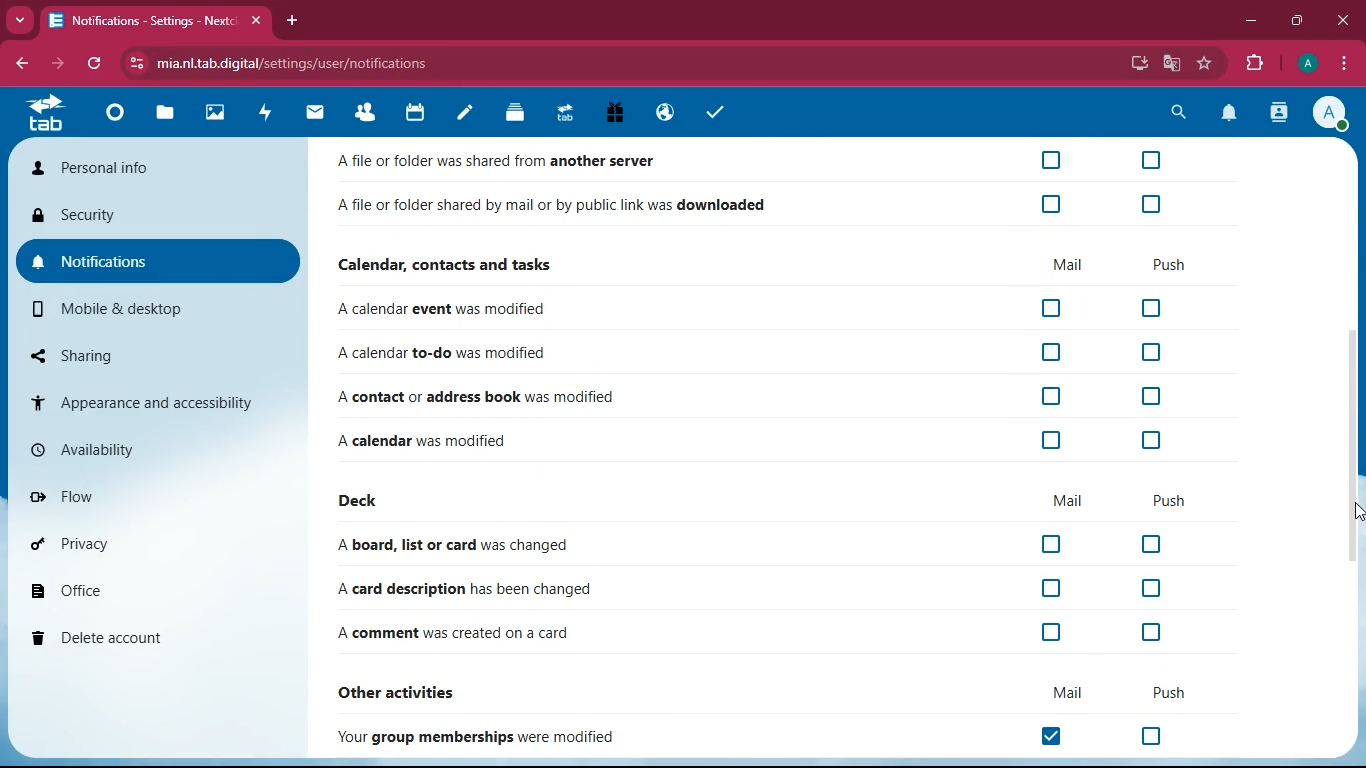 The height and width of the screenshot is (768, 1366). I want to click on sharing, so click(161, 355).